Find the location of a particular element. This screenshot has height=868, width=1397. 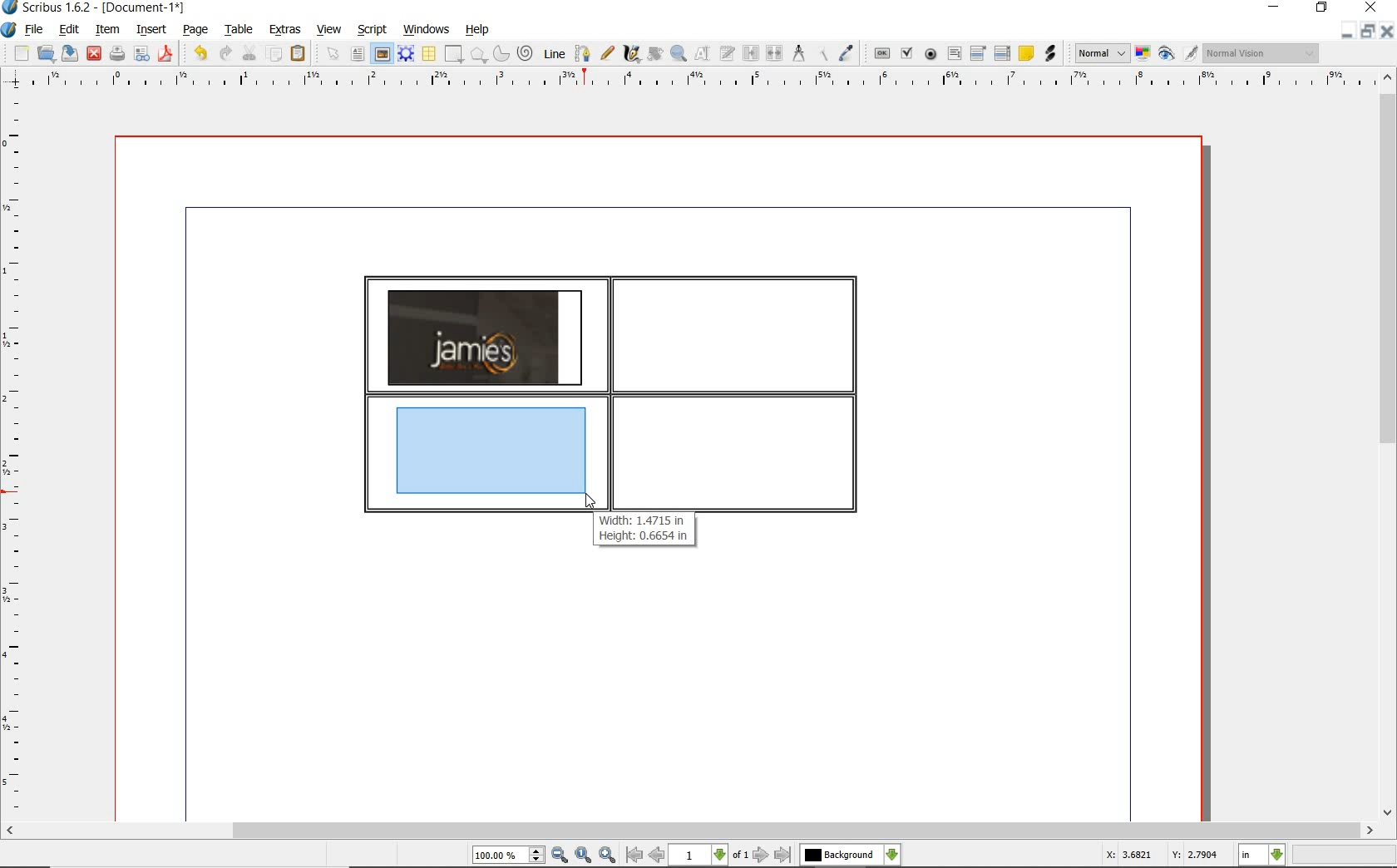

file is located at coordinates (35, 31).